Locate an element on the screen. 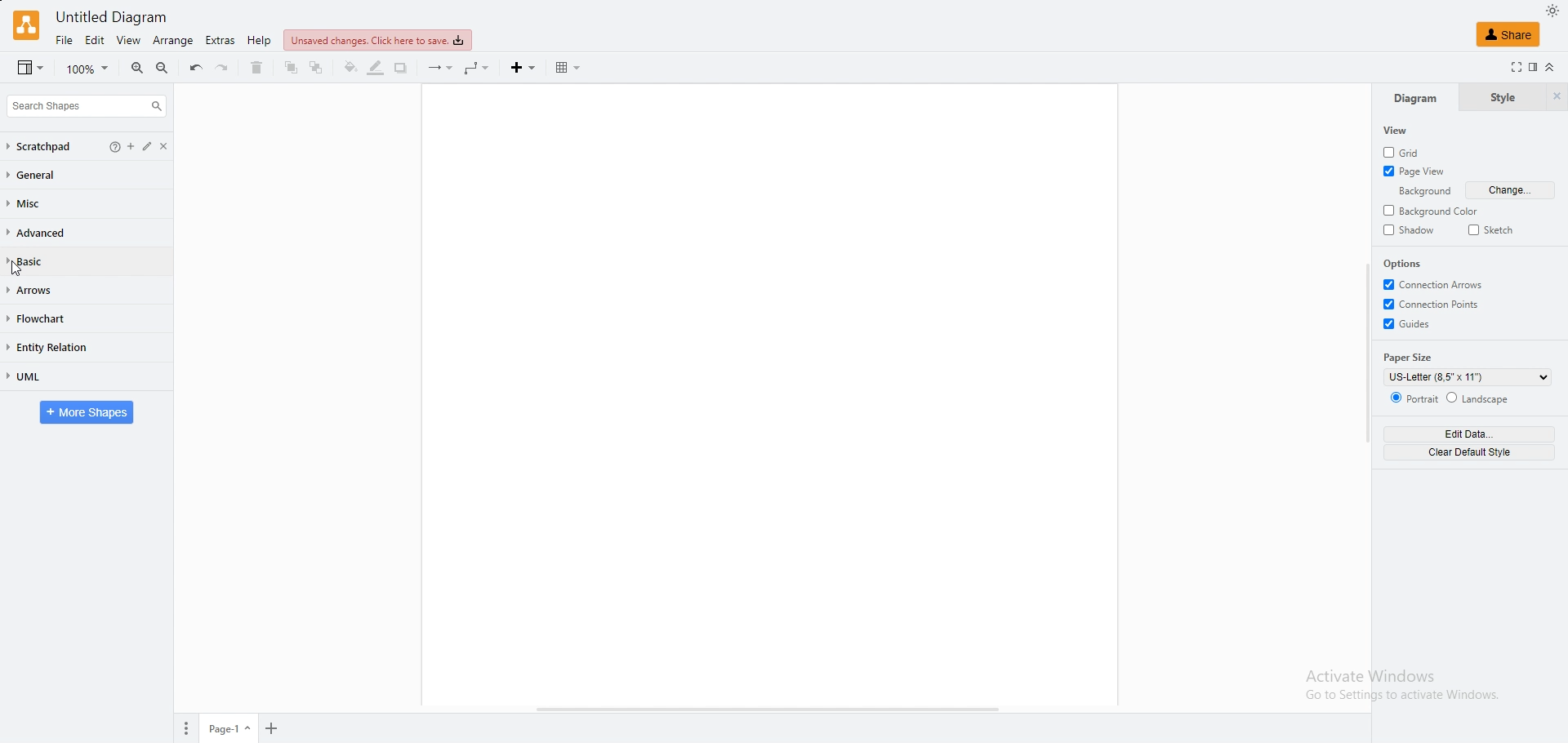 The width and height of the screenshot is (1568, 743). view is located at coordinates (131, 42).